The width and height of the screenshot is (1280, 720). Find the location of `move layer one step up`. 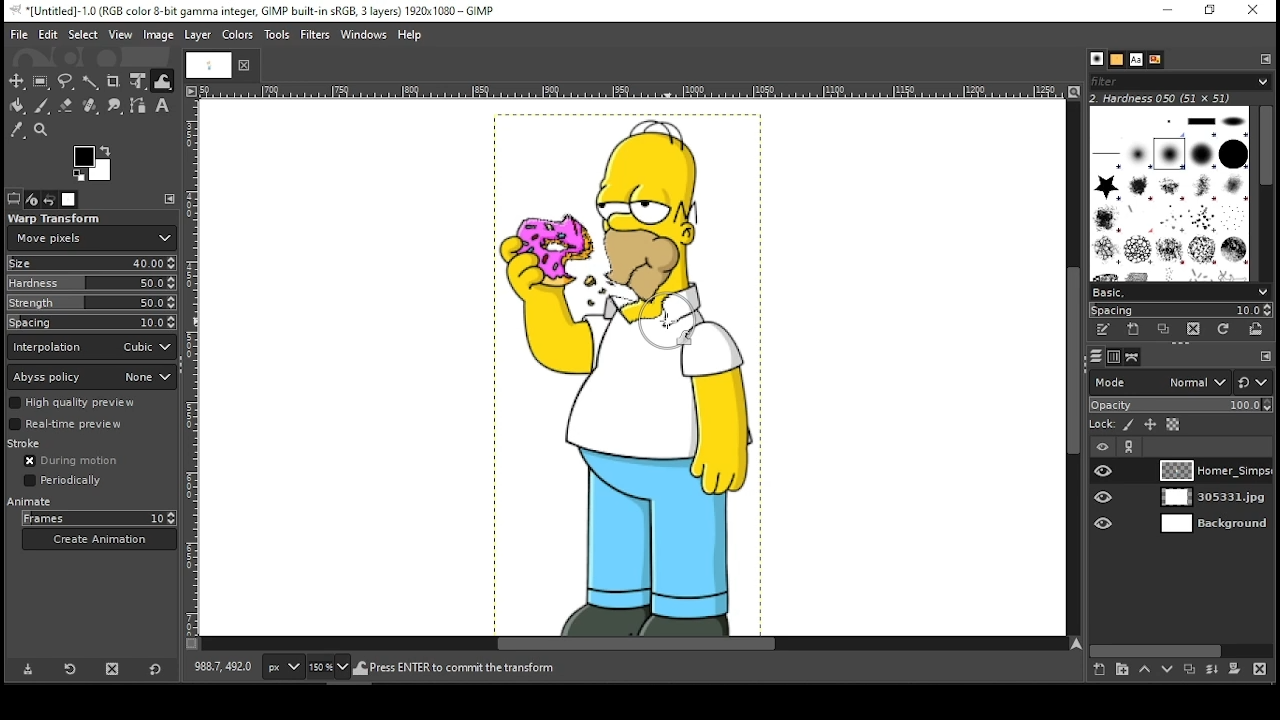

move layer one step up is located at coordinates (1146, 672).